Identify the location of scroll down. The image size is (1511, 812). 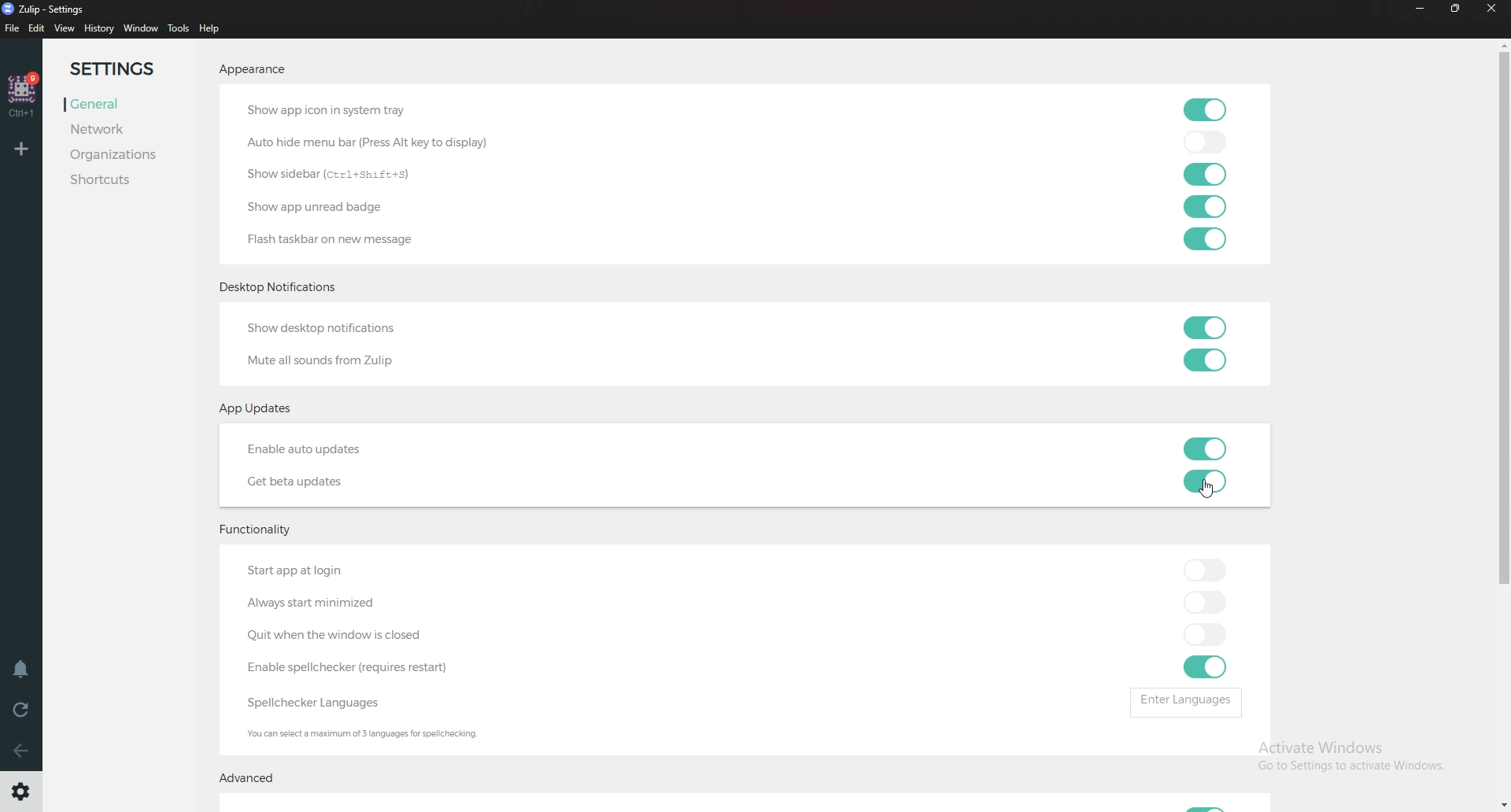
(1502, 805).